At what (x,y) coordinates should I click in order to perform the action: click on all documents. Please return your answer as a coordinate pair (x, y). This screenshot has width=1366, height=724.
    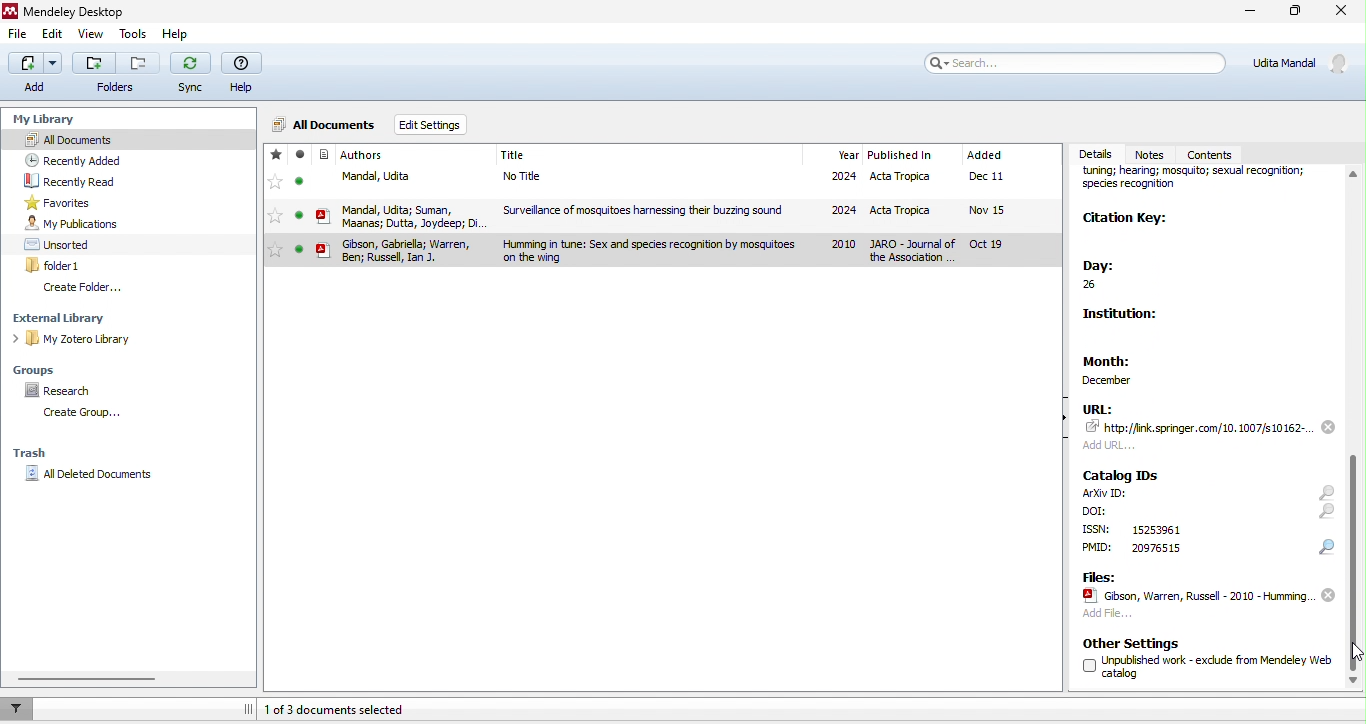
    Looking at the image, I should click on (325, 122).